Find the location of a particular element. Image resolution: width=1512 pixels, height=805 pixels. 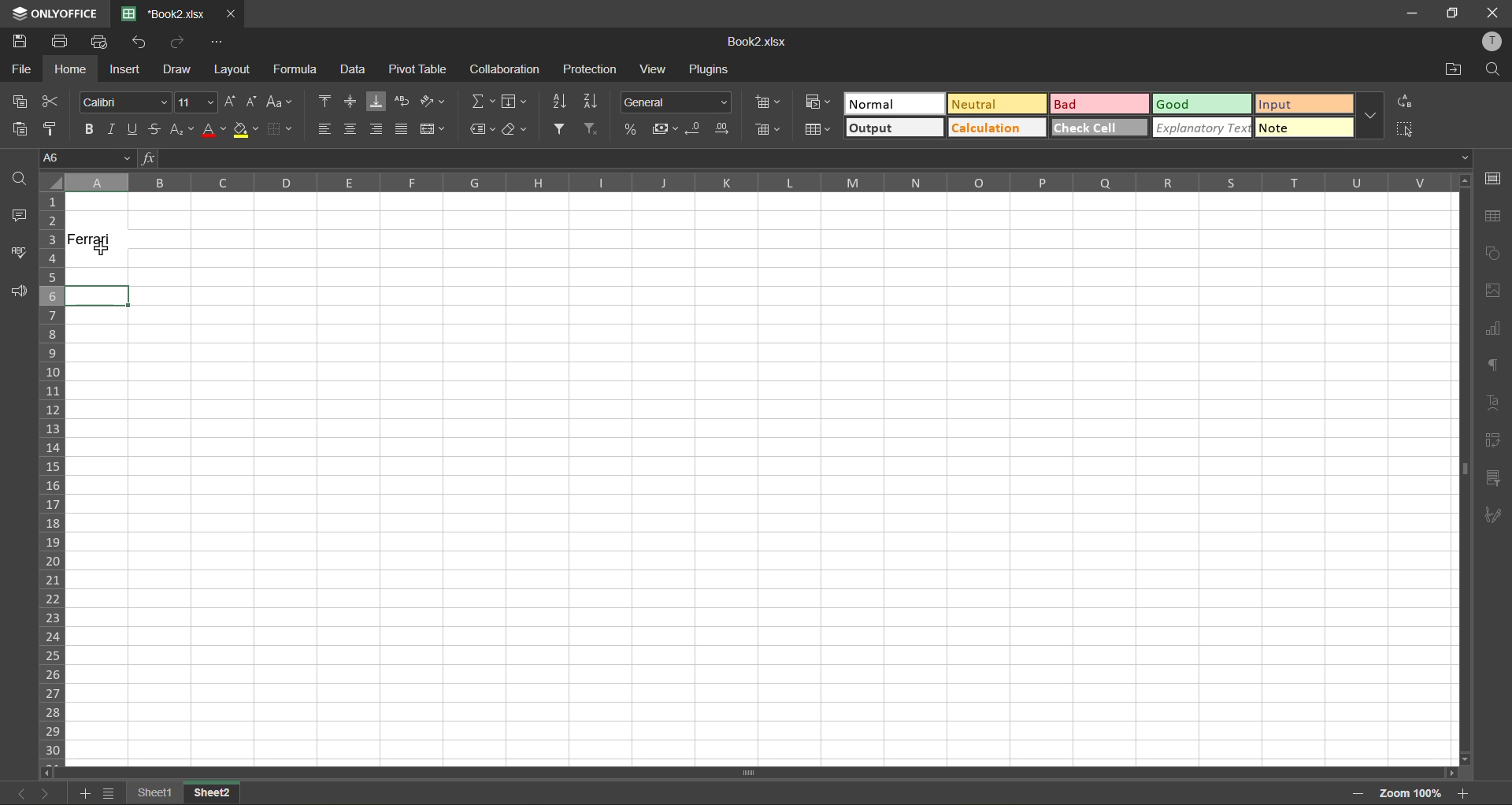

draw is located at coordinates (176, 70).